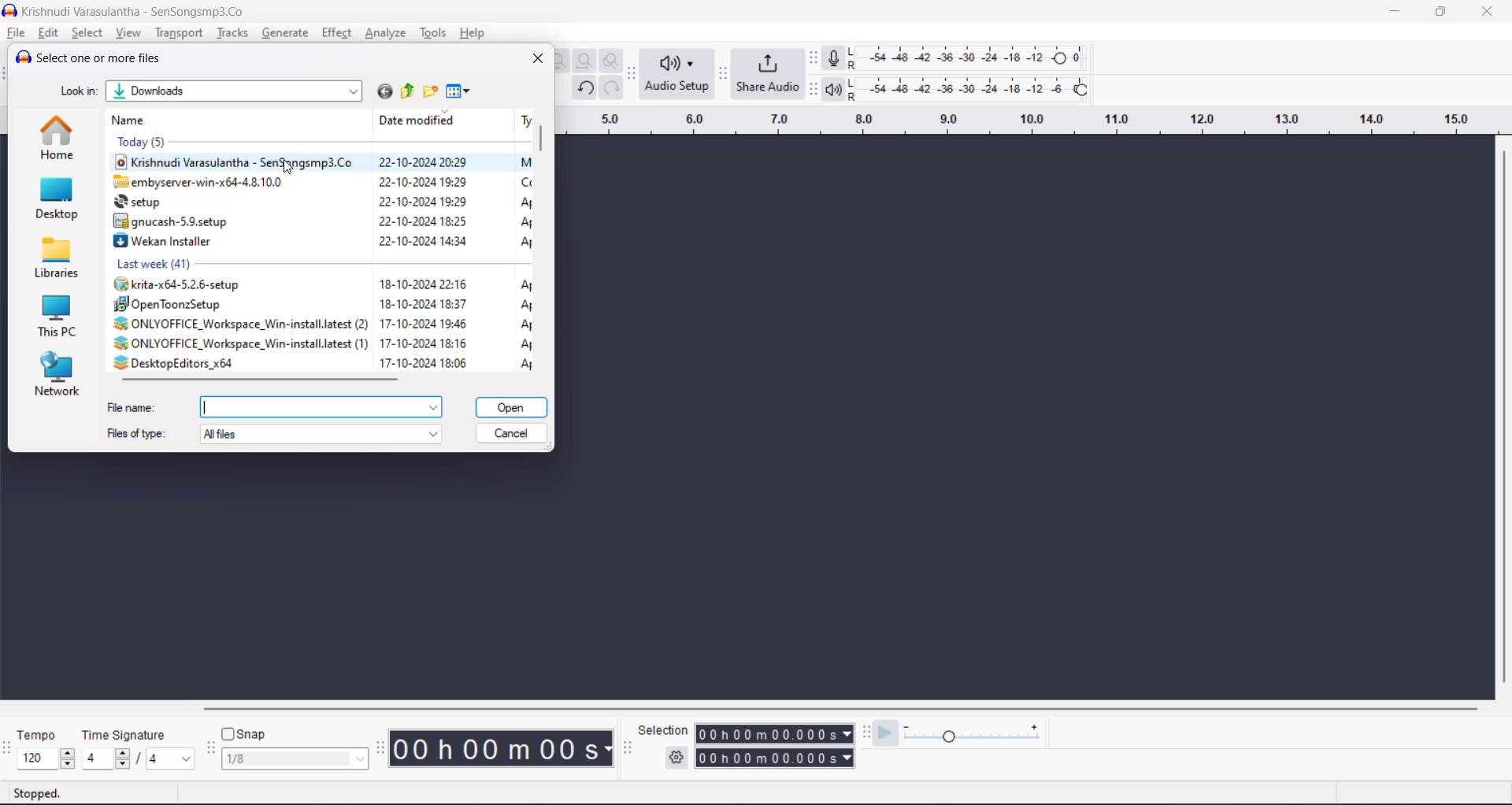  What do you see at coordinates (322, 322) in the screenshot?
I see `2% ONLYOFFICE_Workspace_Win-install.latest (2) 17-10-2024 19:46 A` at bounding box center [322, 322].